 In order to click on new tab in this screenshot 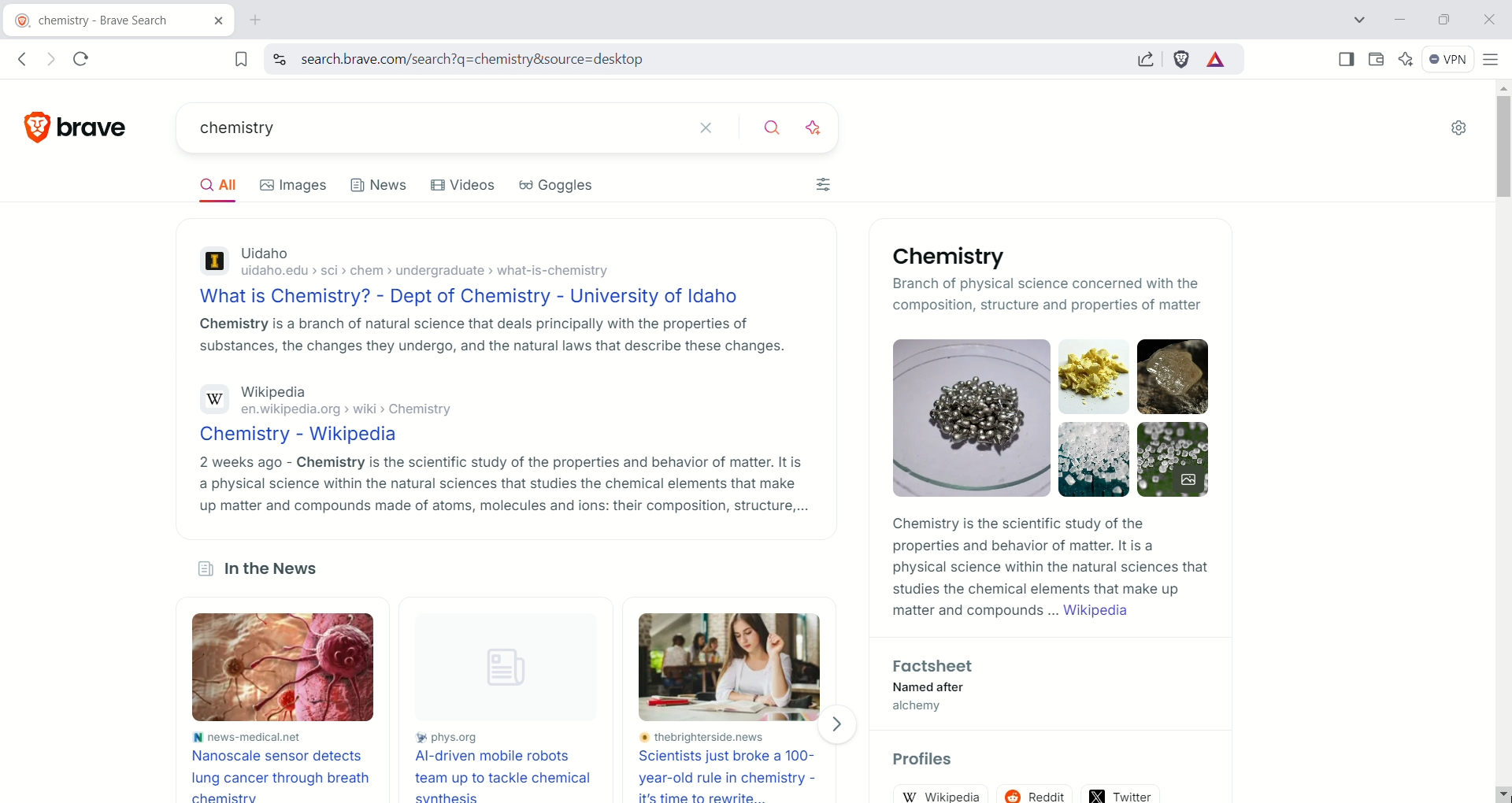, I will do `click(257, 20)`.